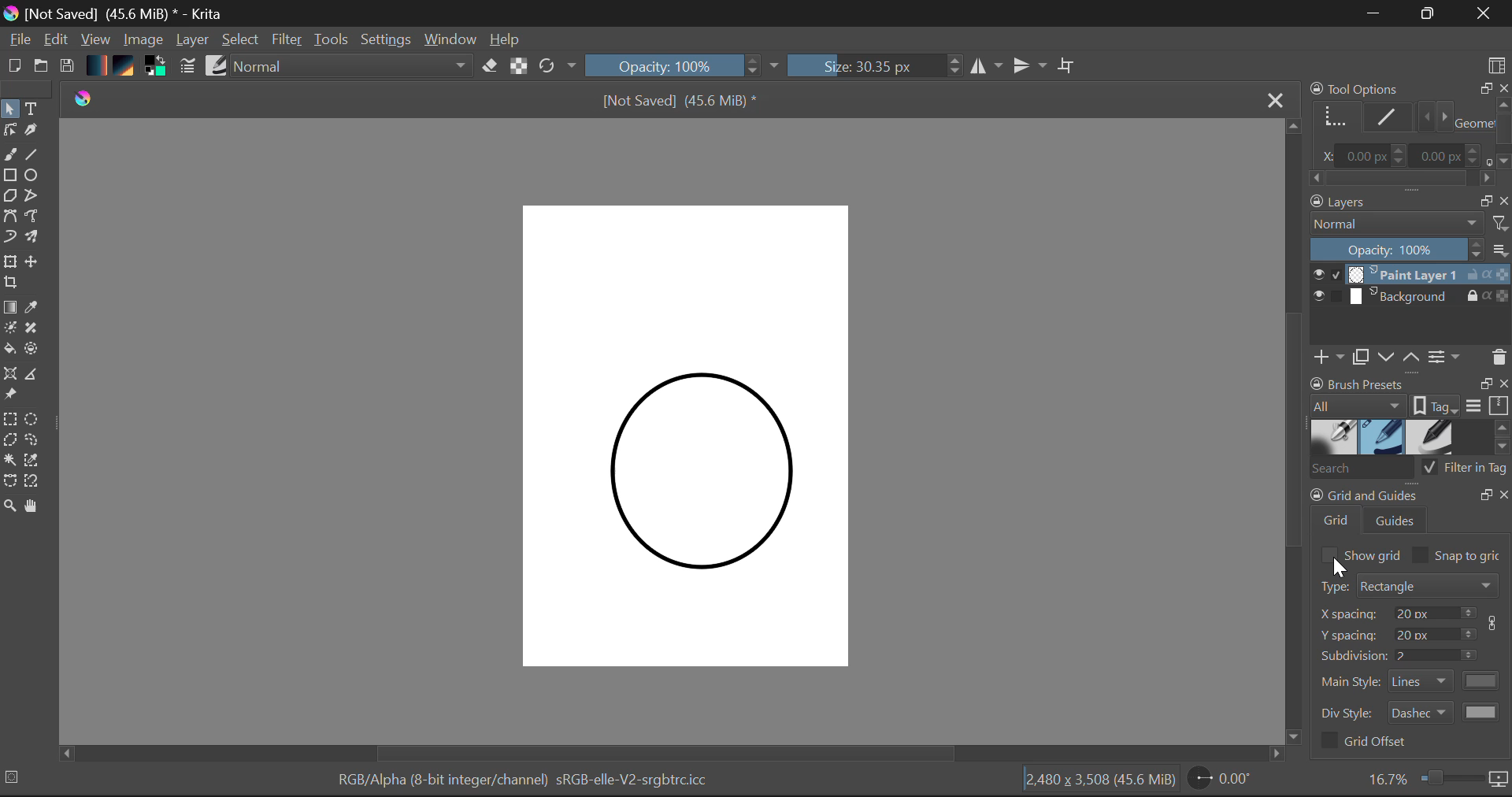 The height and width of the screenshot is (797, 1512). I want to click on Crop, so click(13, 284).